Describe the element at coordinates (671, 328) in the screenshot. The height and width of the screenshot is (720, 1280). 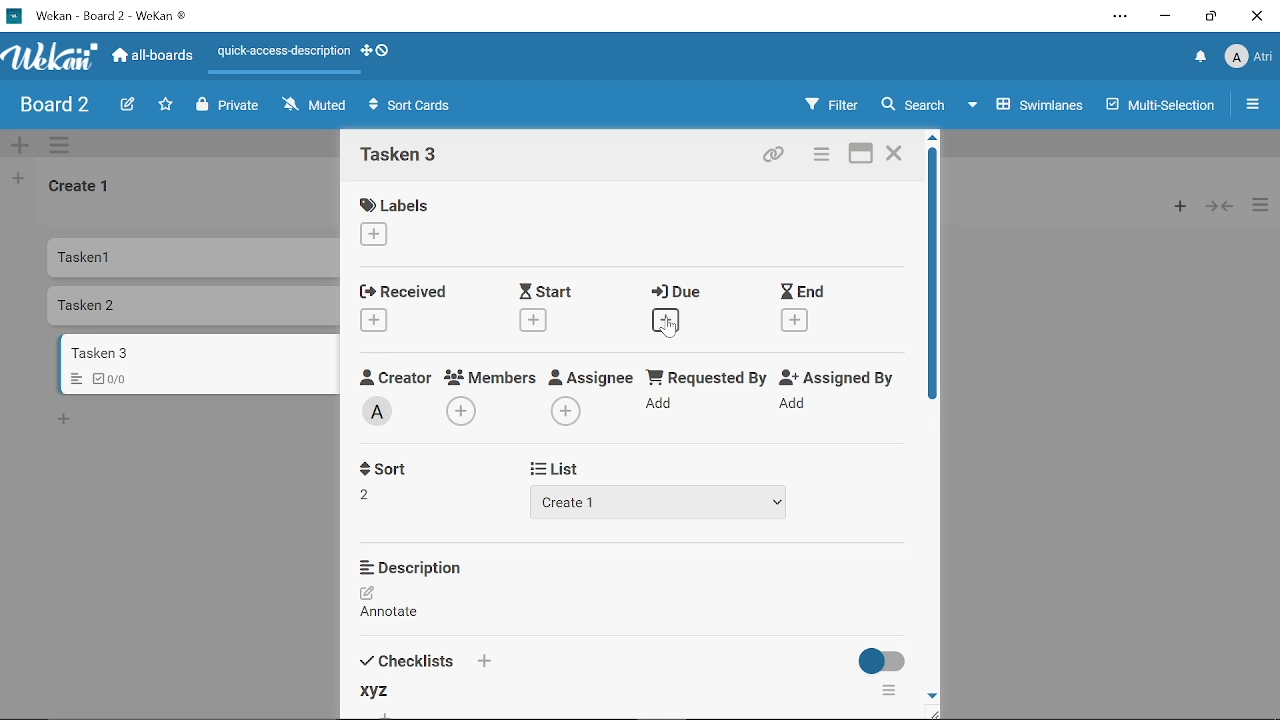
I see `Cursor` at that location.